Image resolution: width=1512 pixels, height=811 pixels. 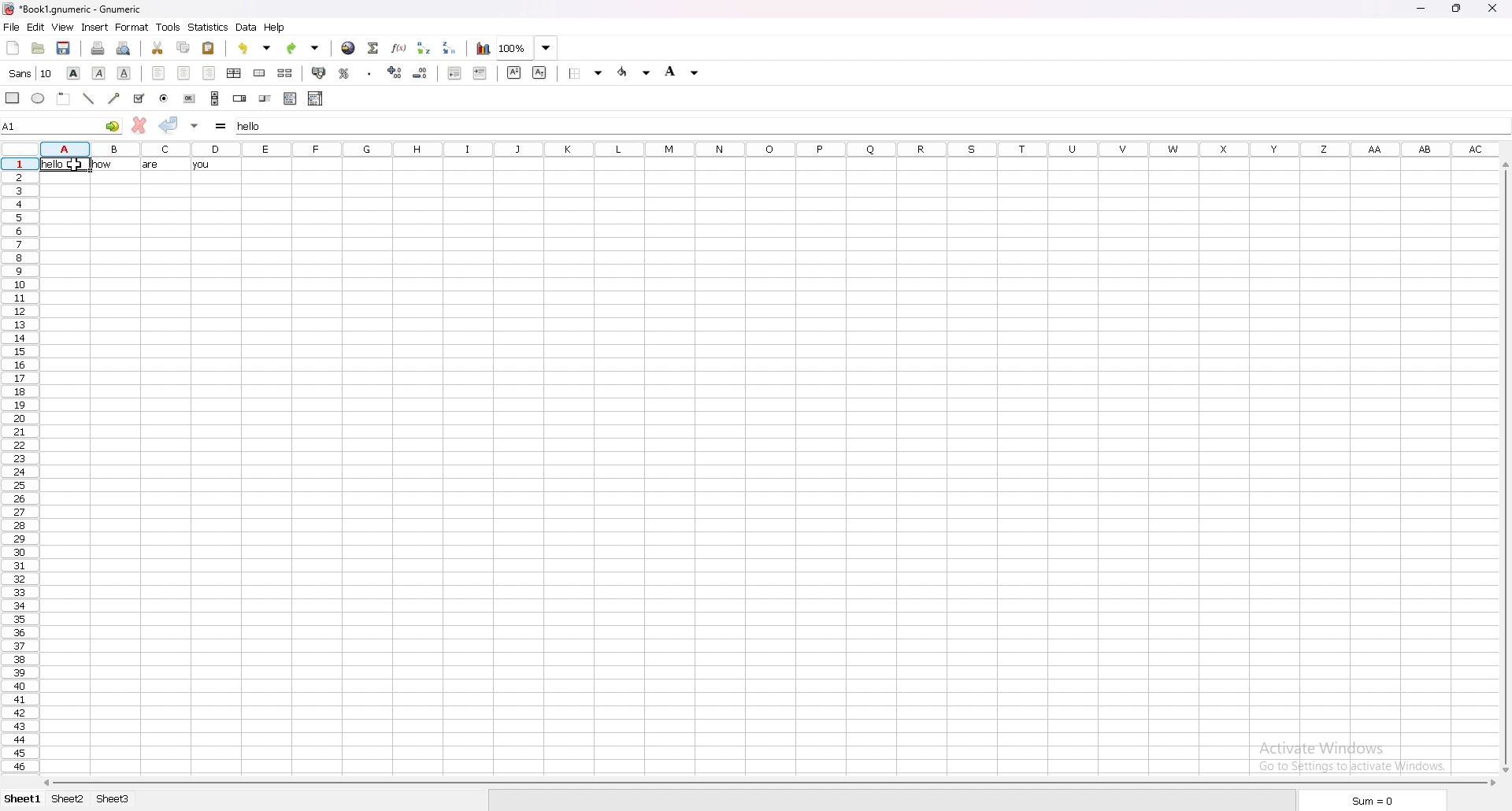 What do you see at coordinates (139, 125) in the screenshot?
I see `cancel changes` at bounding box center [139, 125].